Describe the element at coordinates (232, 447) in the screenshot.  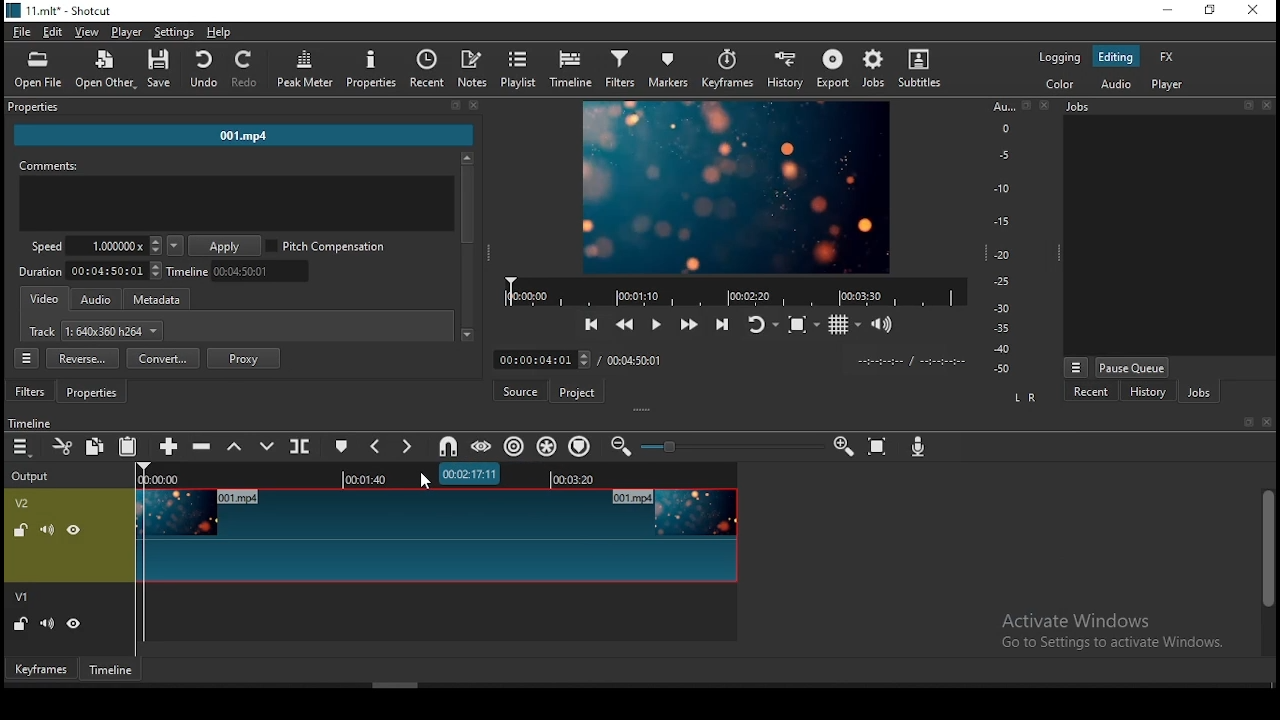
I see `lift` at that location.